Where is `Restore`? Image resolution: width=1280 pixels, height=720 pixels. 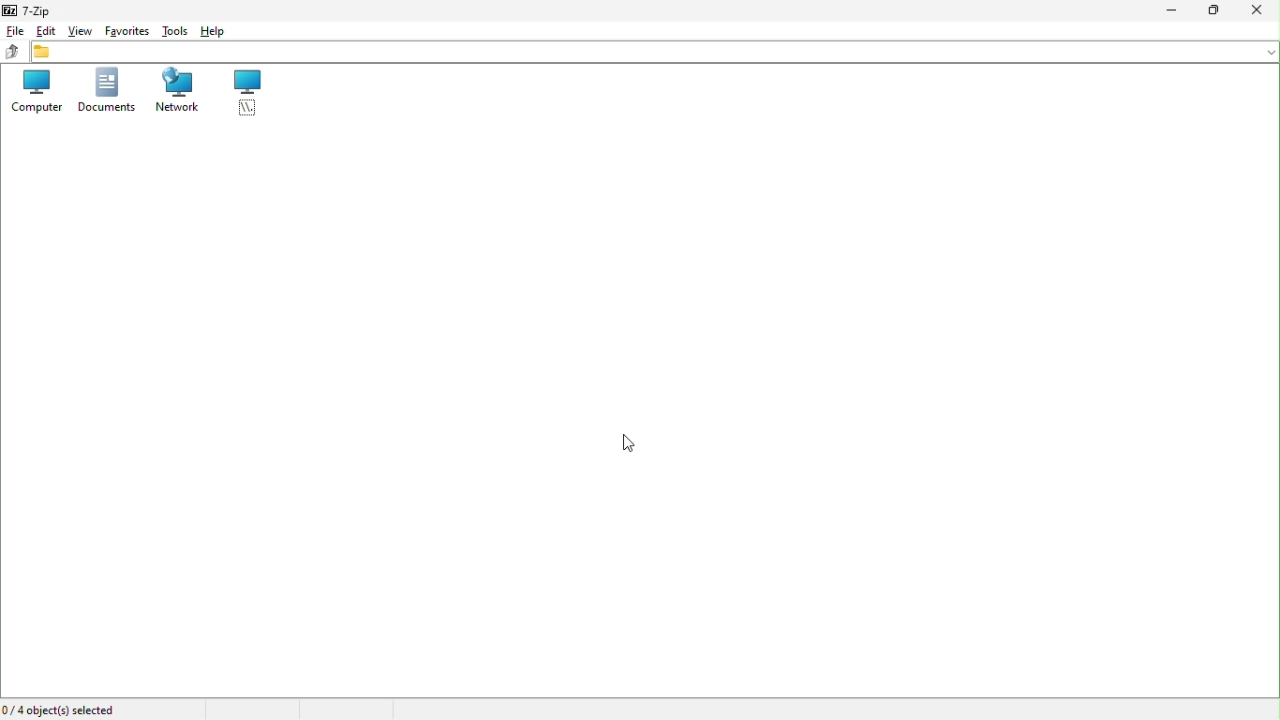
Restore is located at coordinates (1219, 13).